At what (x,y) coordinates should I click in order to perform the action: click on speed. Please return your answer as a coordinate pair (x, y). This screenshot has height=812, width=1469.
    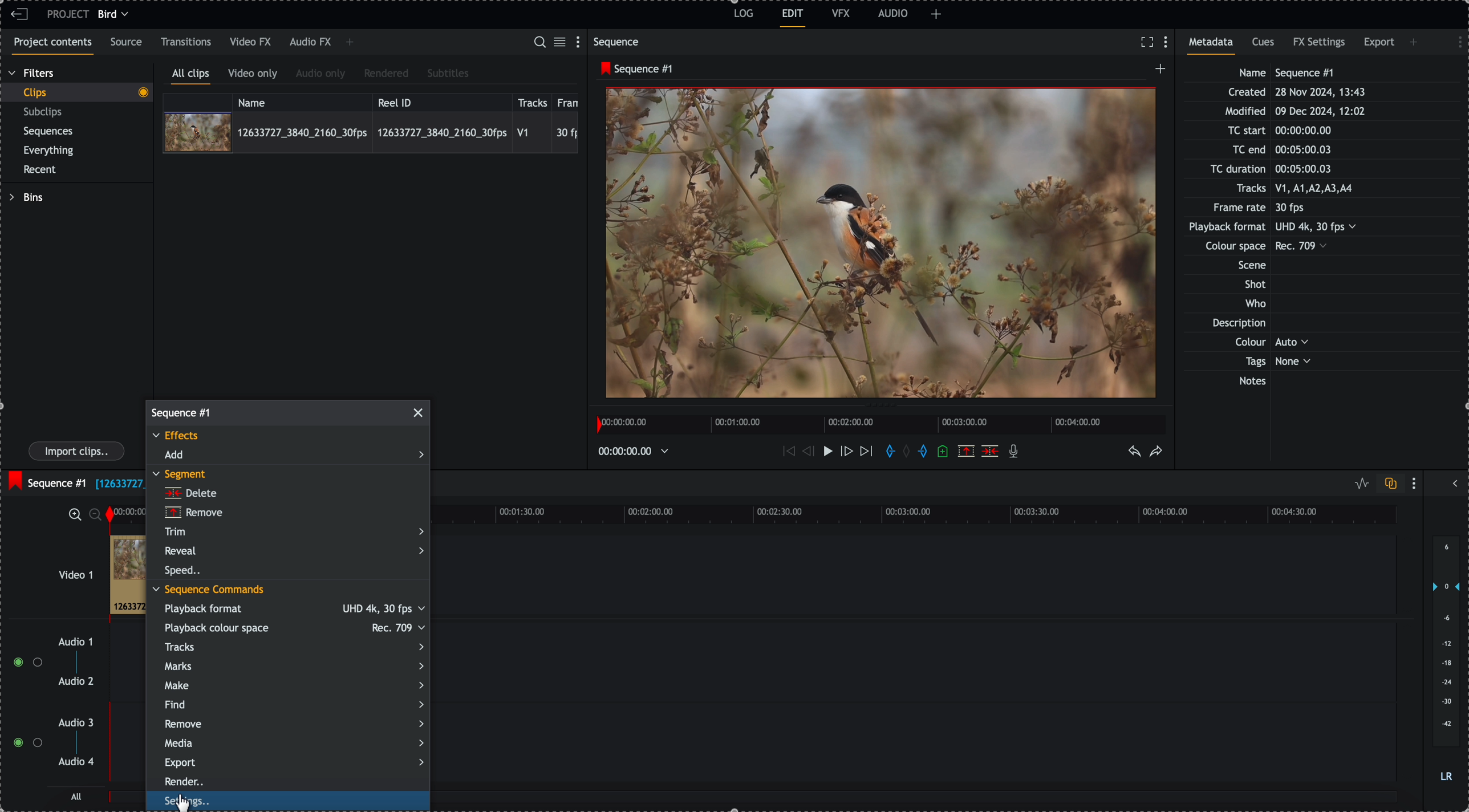
    Looking at the image, I should click on (184, 571).